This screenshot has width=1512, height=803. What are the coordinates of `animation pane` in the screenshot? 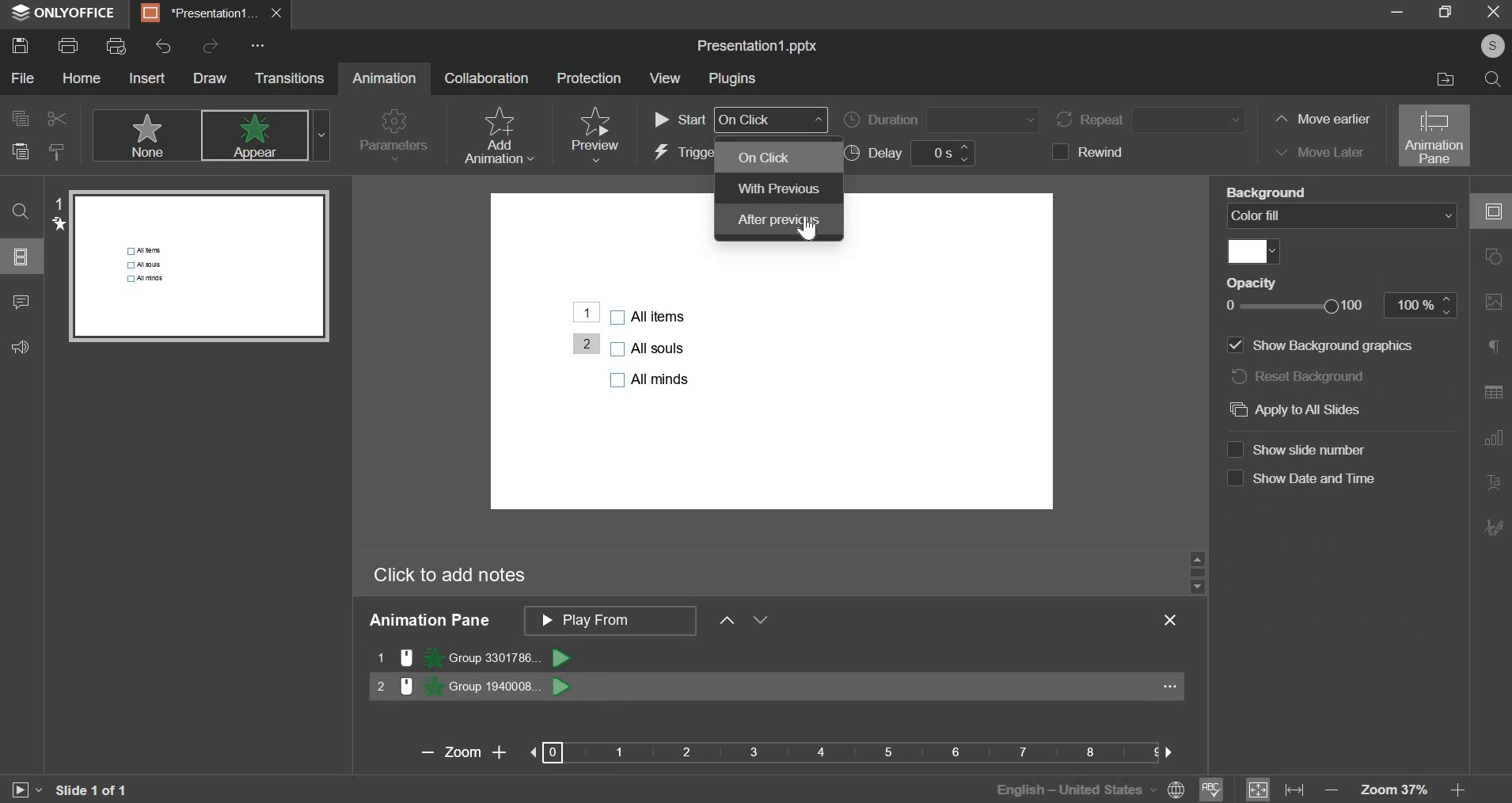 It's located at (1435, 135).